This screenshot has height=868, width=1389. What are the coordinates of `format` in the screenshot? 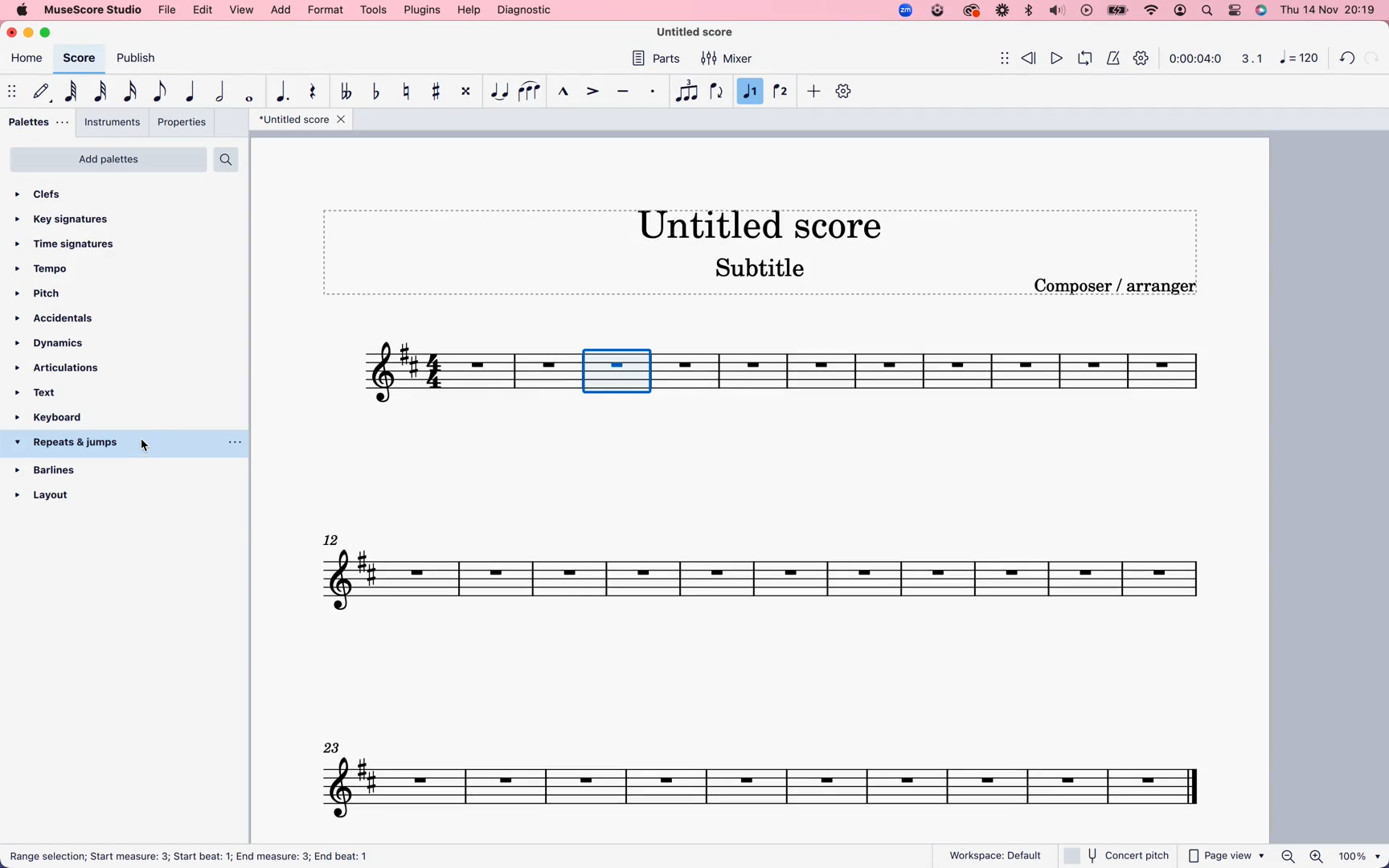 It's located at (325, 10).